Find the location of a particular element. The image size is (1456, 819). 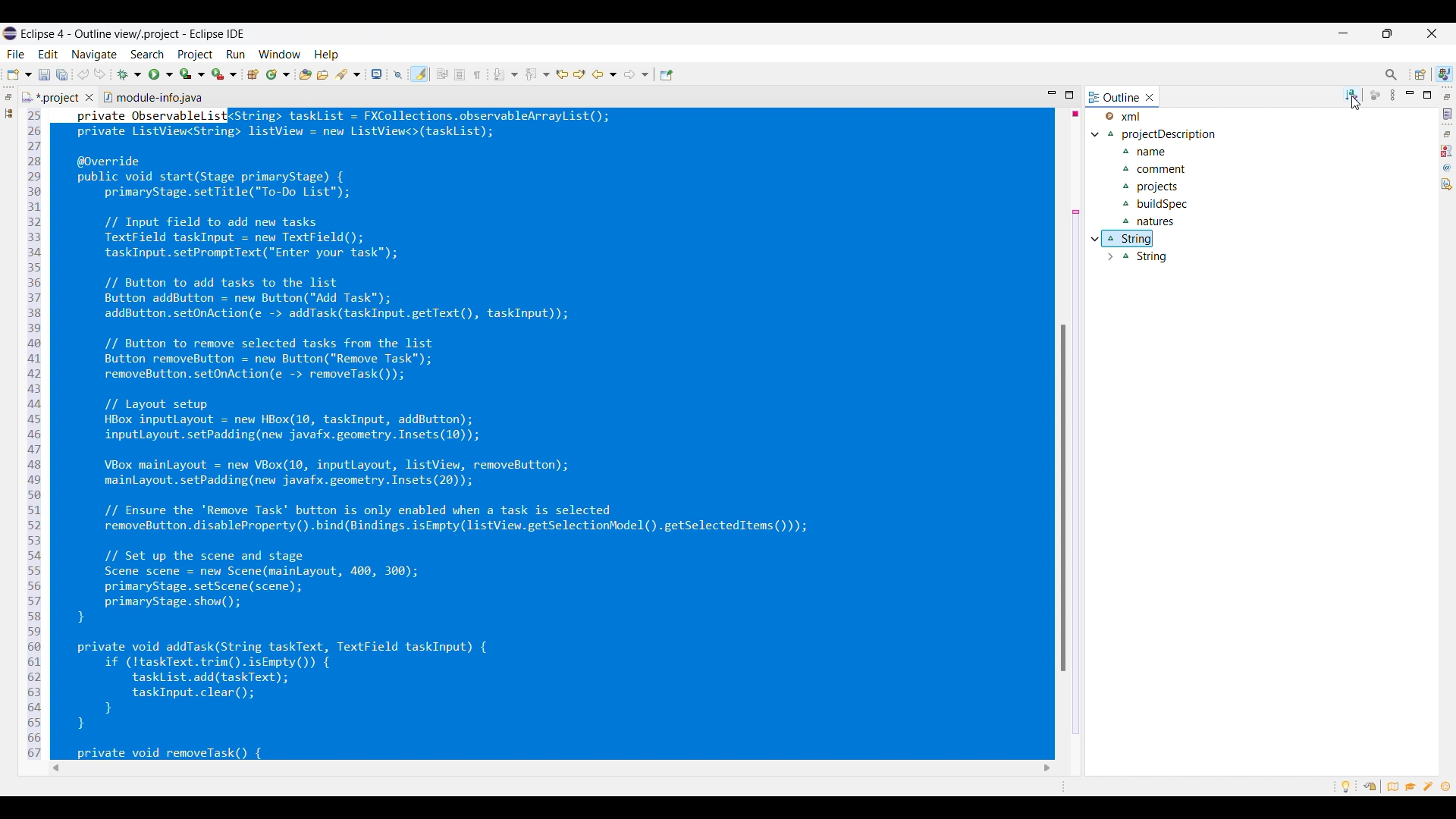

Minimize is located at coordinates (1410, 94).